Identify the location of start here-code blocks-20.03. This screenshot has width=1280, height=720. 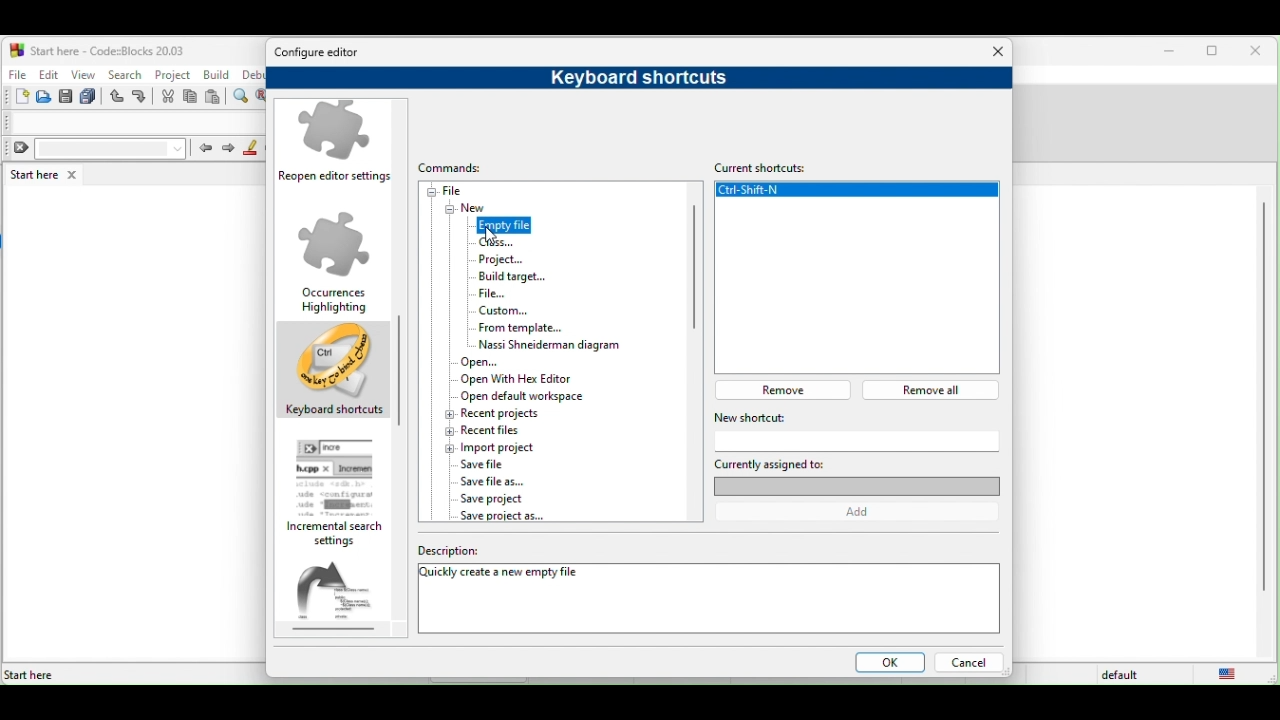
(97, 49).